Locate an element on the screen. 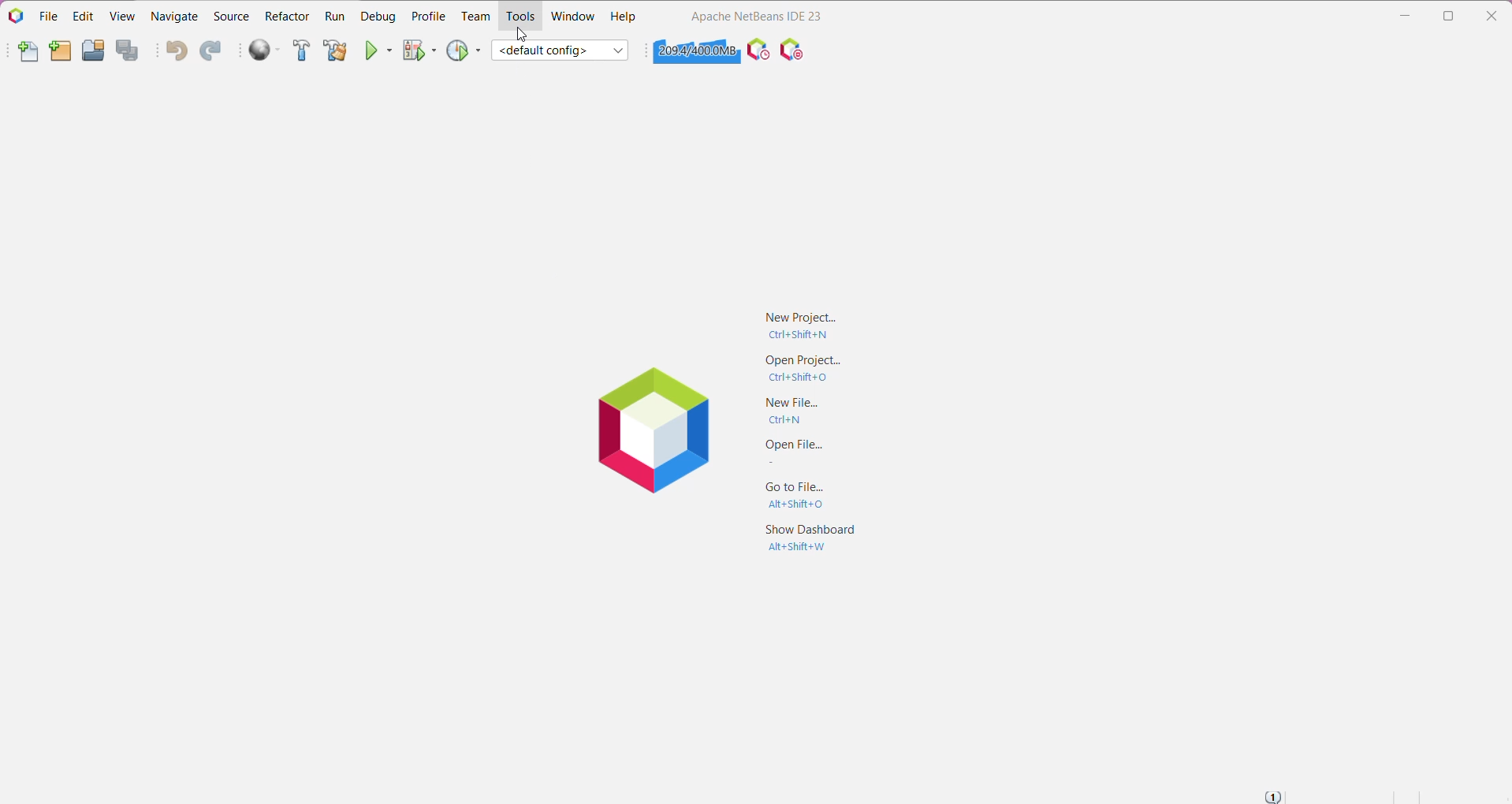  Open Files... is located at coordinates (794, 455).